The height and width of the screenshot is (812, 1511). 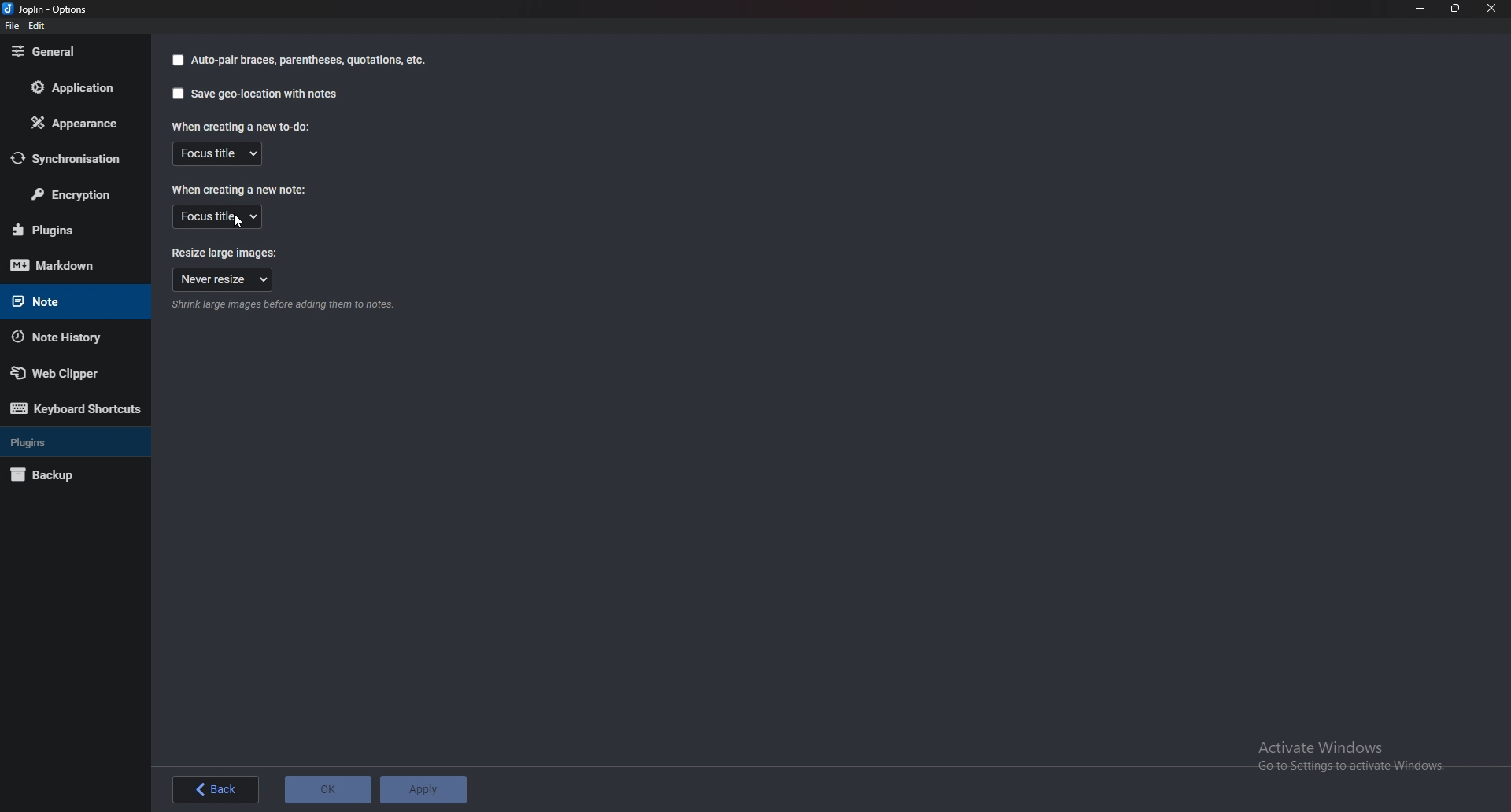 What do you see at coordinates (72, 124) in the screenshot?
I see `Appearance` at bounding box center [72, 124].